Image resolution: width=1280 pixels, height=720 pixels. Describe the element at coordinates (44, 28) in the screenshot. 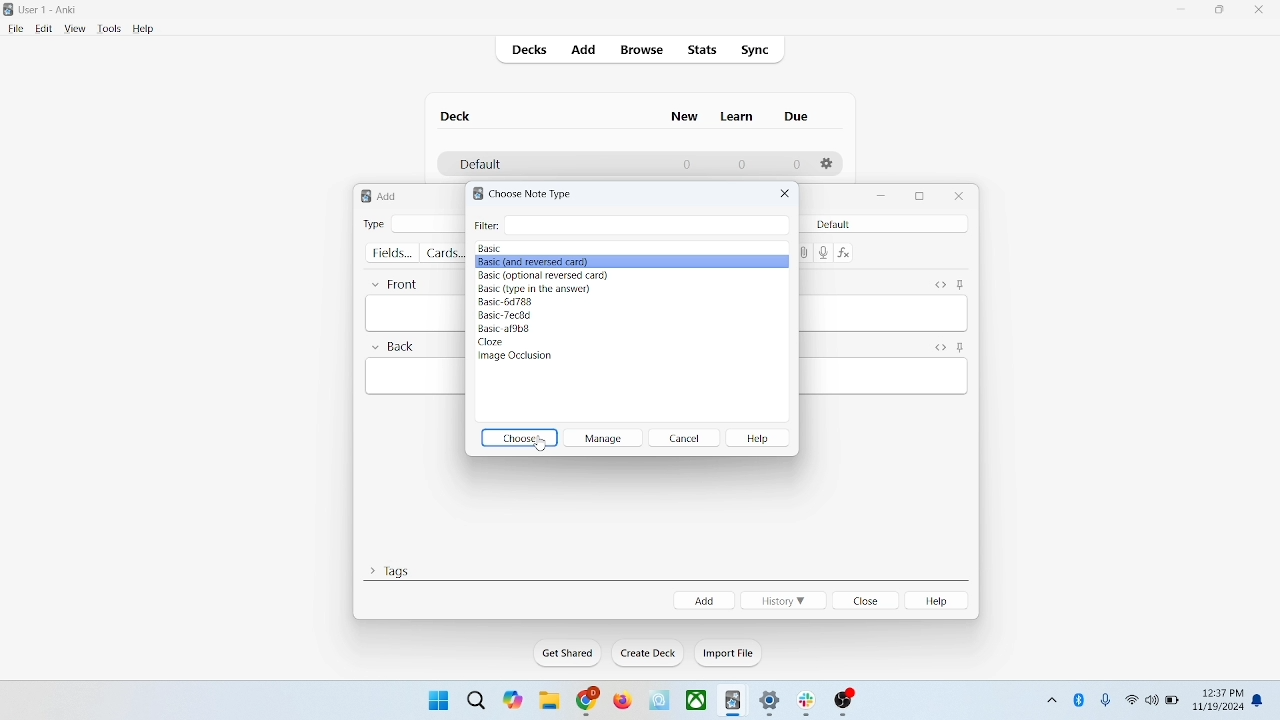

I see `edit` at that location.